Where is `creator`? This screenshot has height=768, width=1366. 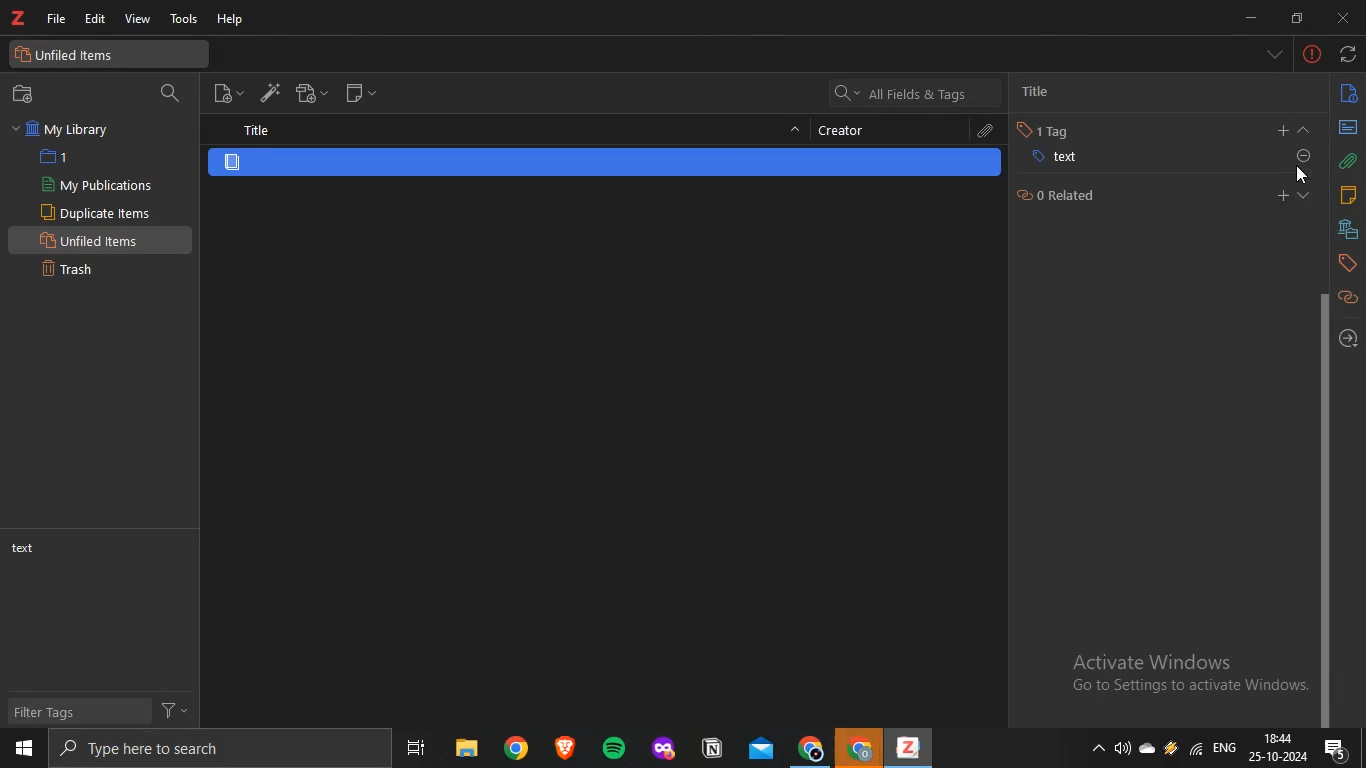
creator is located at coordinates (846, 131).